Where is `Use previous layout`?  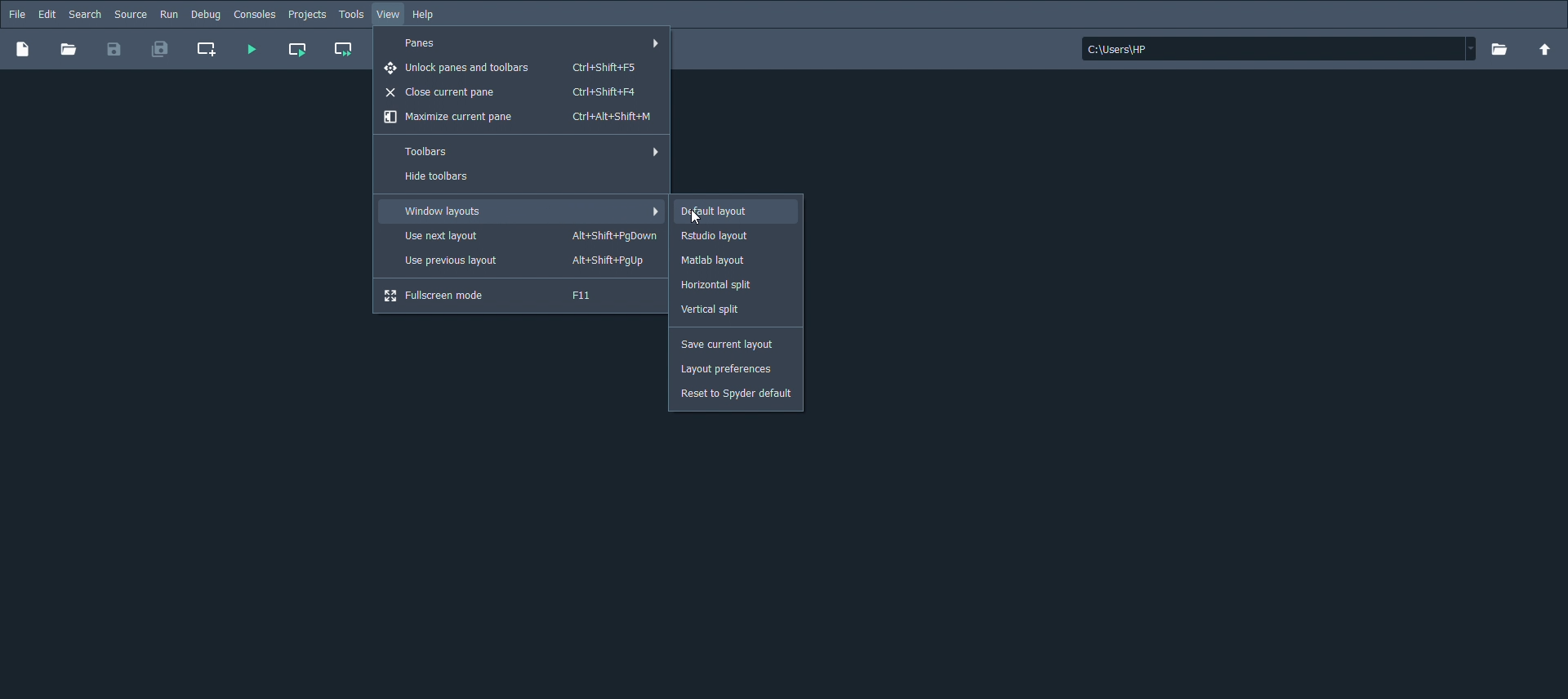
Use previous layout is located at coordinates (526, 261).